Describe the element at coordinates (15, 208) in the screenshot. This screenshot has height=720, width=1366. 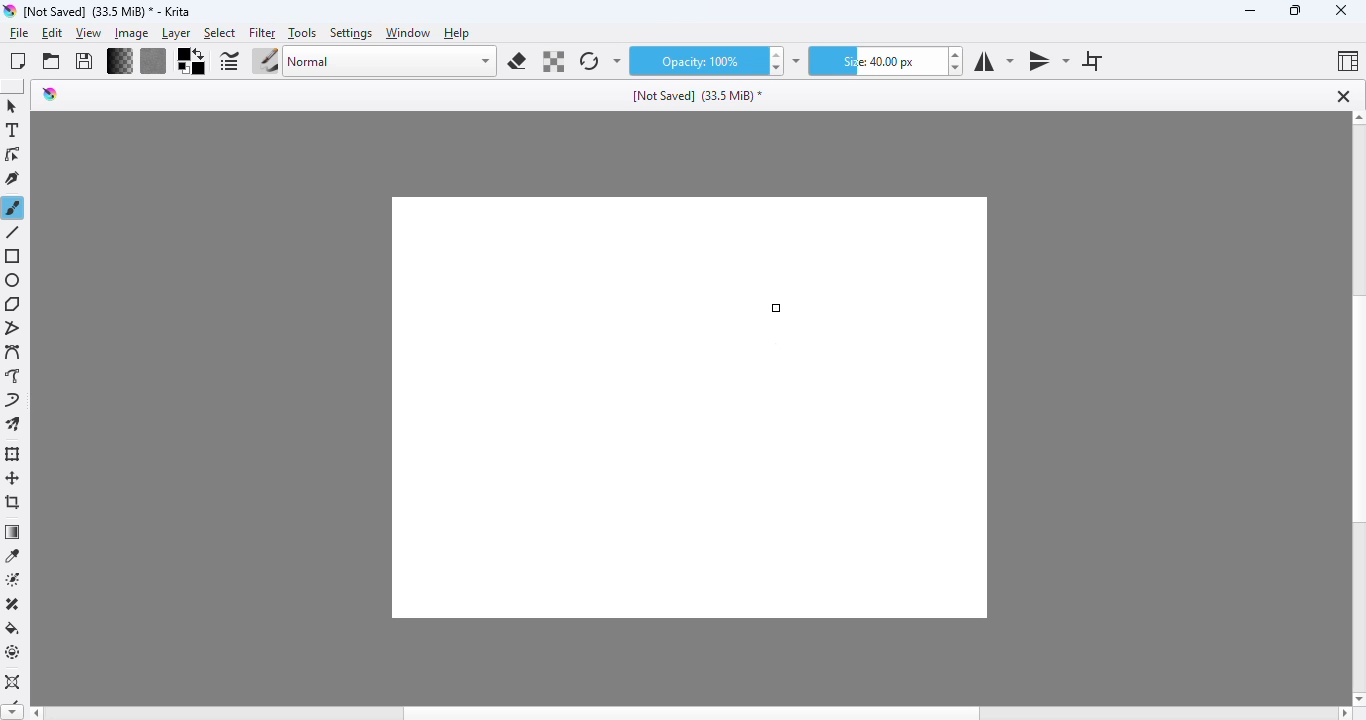
I see `freehand brush tool` at that location.